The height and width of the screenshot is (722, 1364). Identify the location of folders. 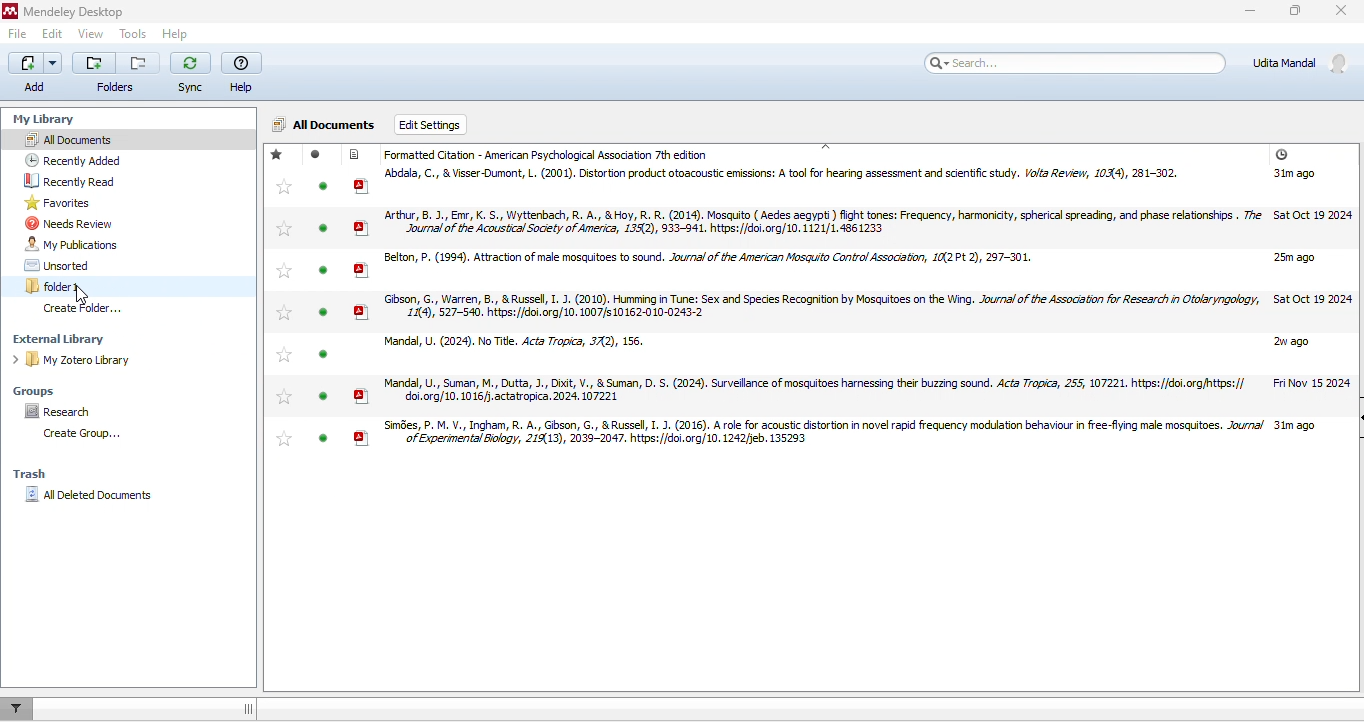
(113, 72).